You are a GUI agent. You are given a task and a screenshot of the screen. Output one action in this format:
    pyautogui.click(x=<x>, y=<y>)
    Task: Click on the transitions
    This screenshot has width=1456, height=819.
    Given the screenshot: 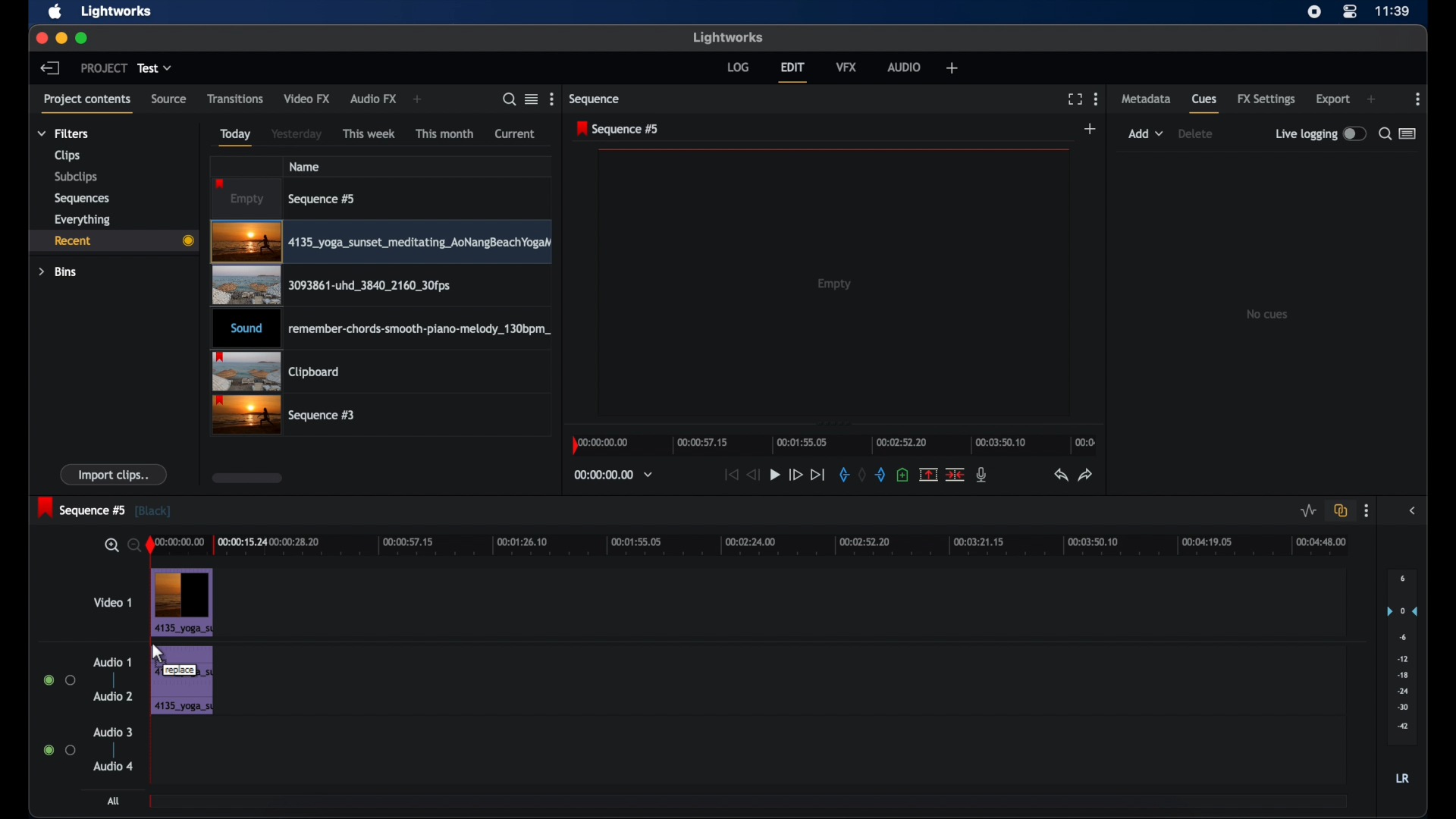 What is the action you would take?
    pyautogui.click(x=235, y=98)
    